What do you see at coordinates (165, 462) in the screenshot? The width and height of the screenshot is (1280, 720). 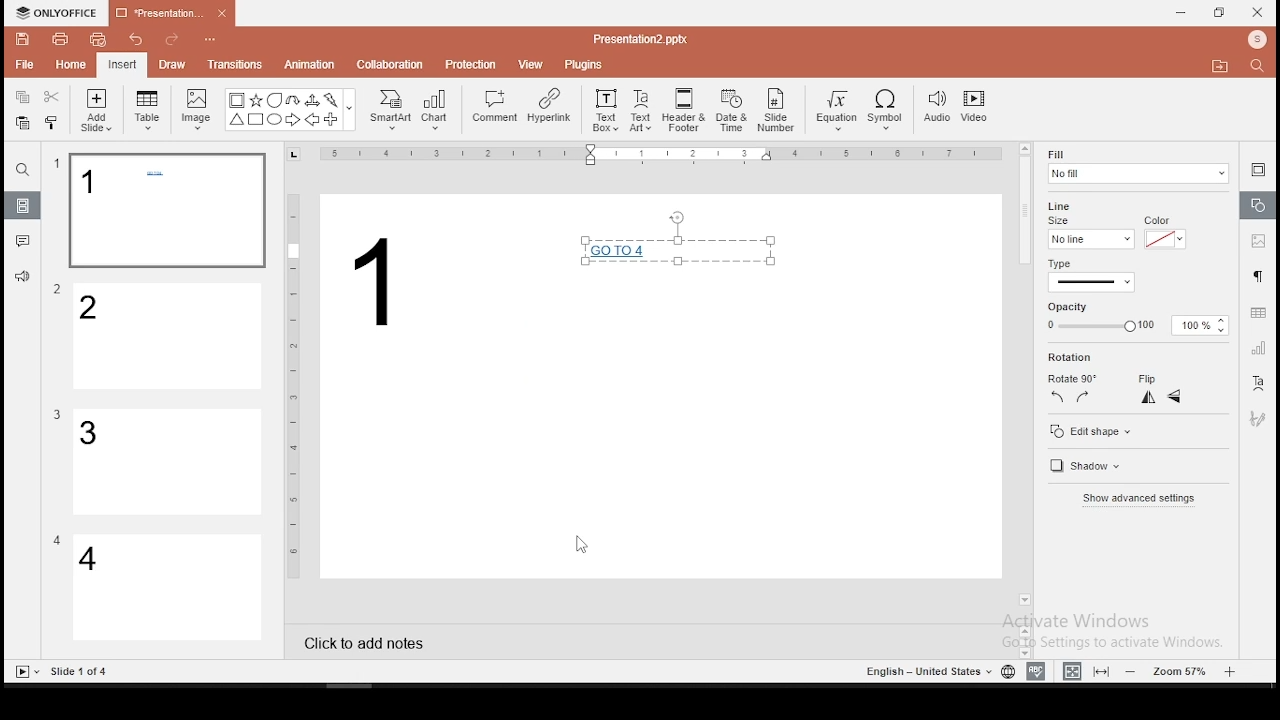 I see `slide 3` at bounding box center [165, 462].